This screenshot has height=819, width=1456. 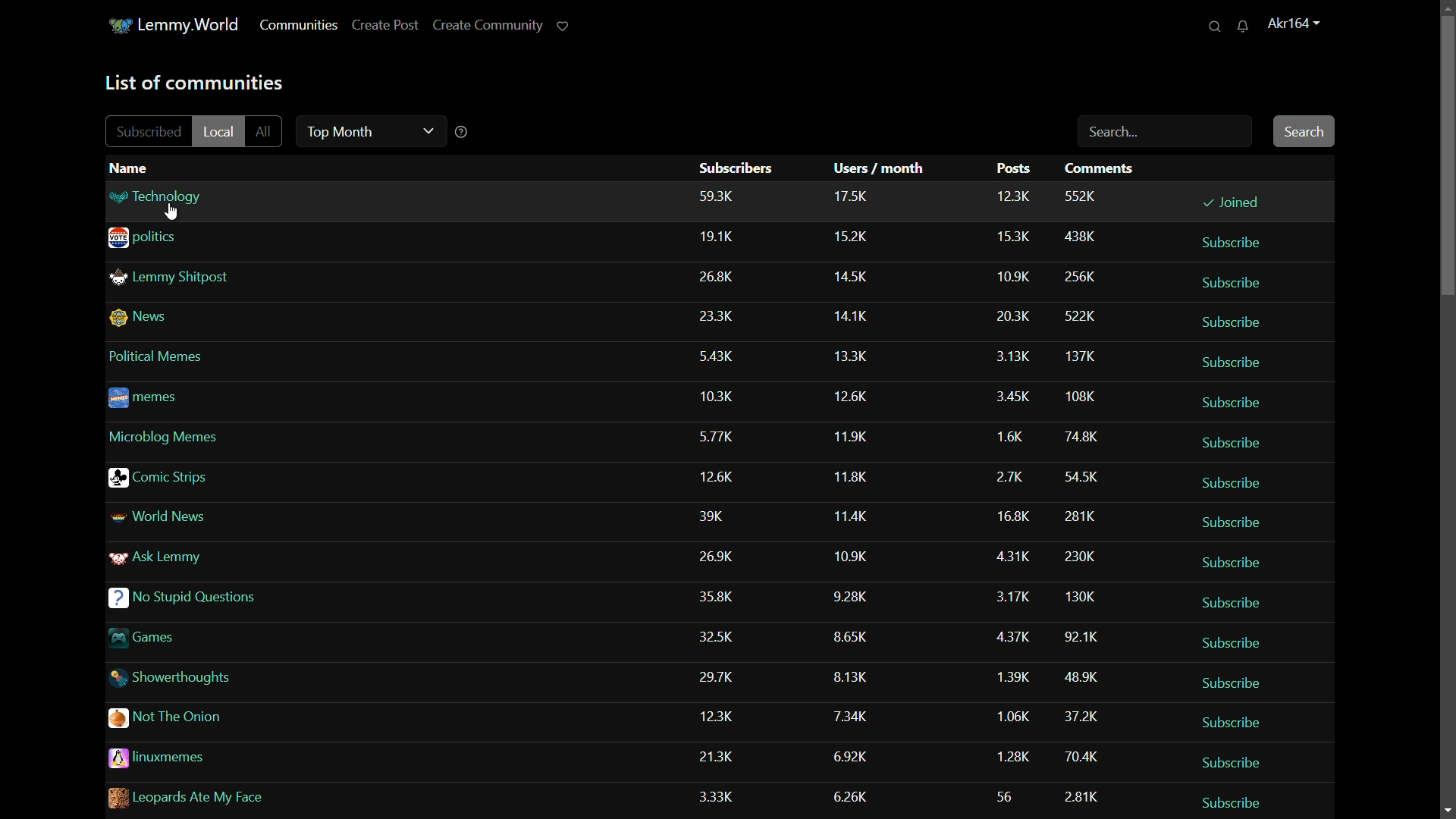 I want to click on posts, so click(x=1014, y=500).